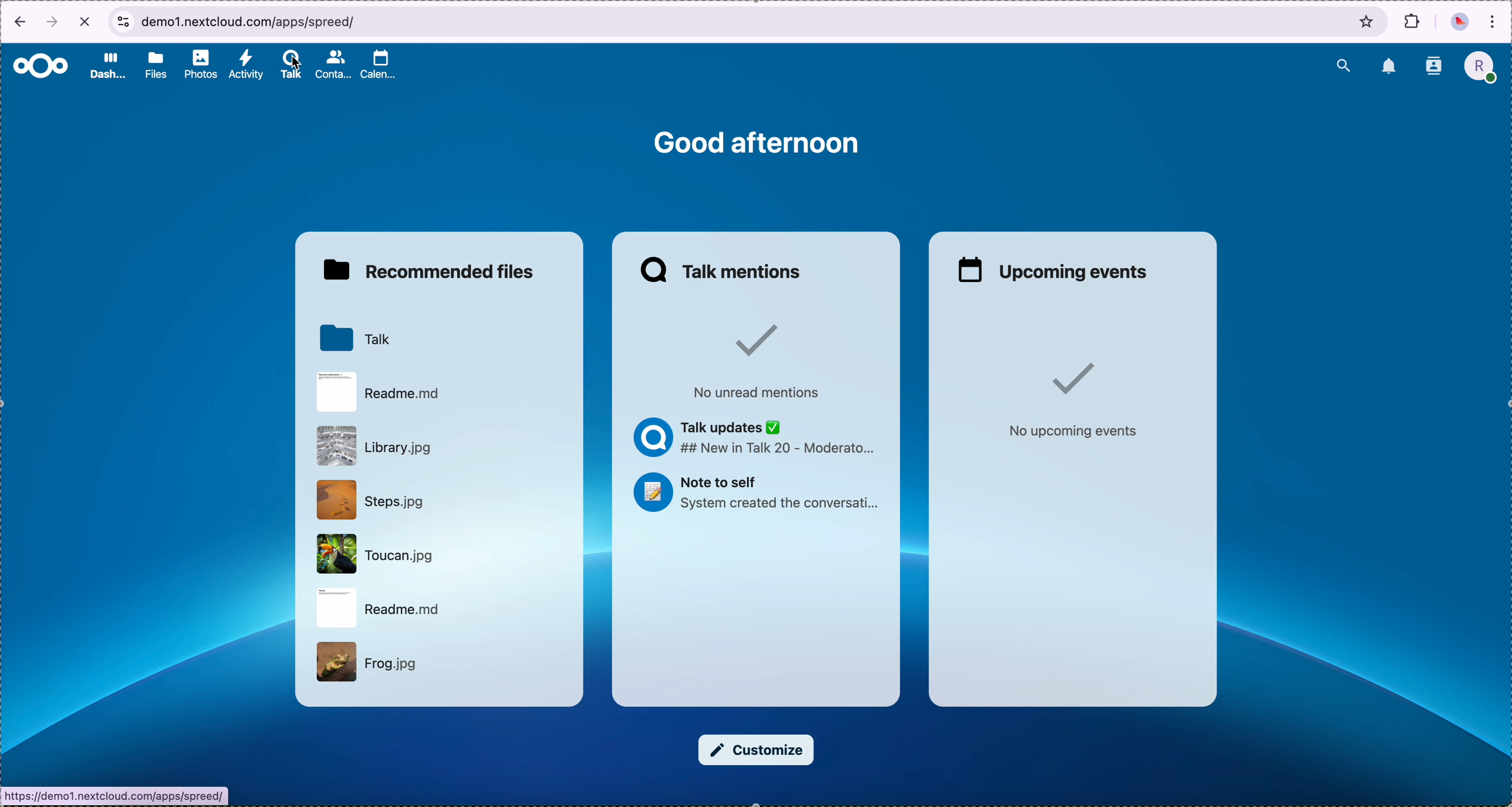 This screenshot has height=807, width=1512. What do you see at coordinates (1074, 259) in the screenshot?
I see `upcoming events window` at bounding box center [1074, 259].